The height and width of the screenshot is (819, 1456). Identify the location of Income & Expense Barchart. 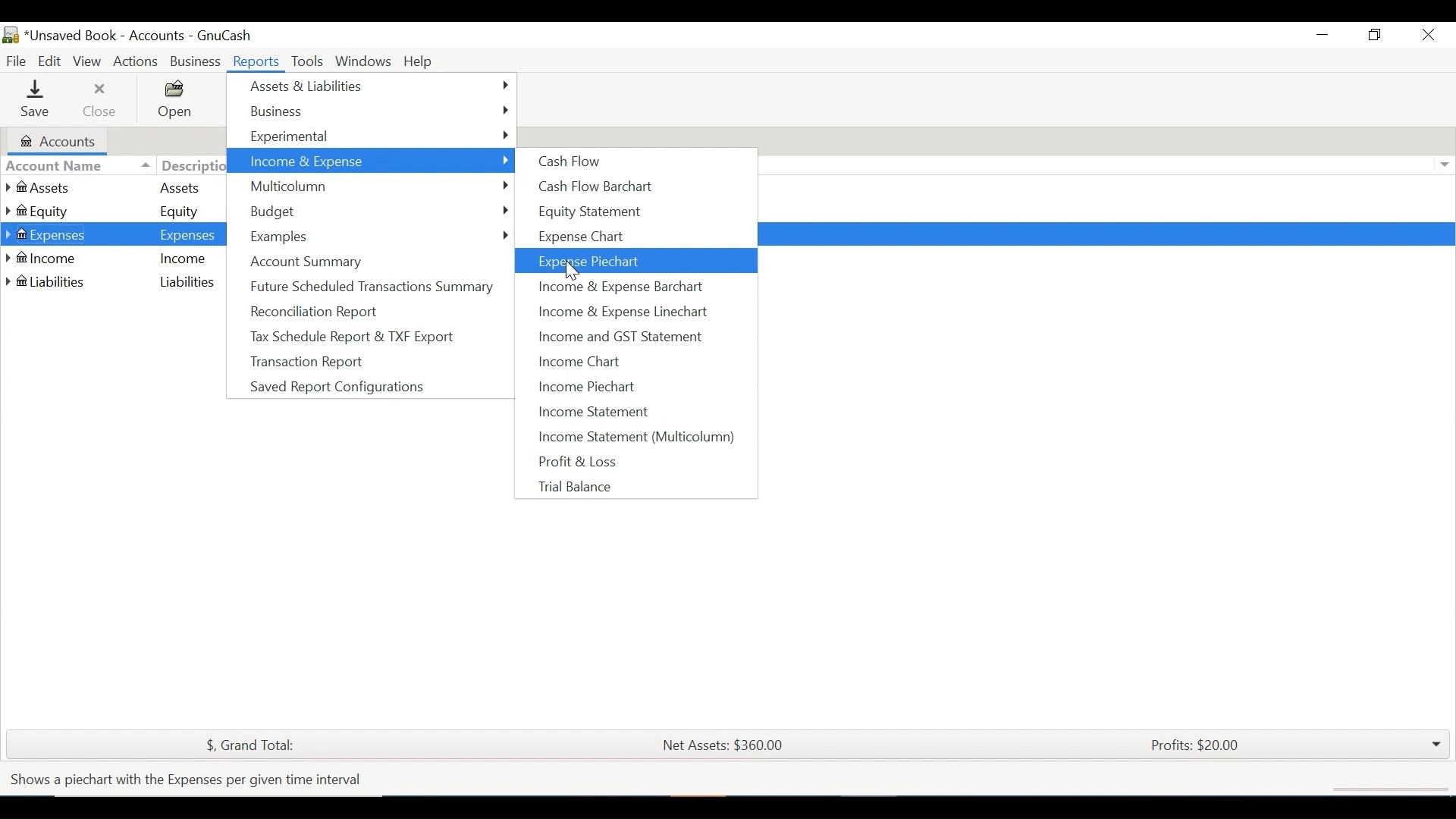
(617, 286).